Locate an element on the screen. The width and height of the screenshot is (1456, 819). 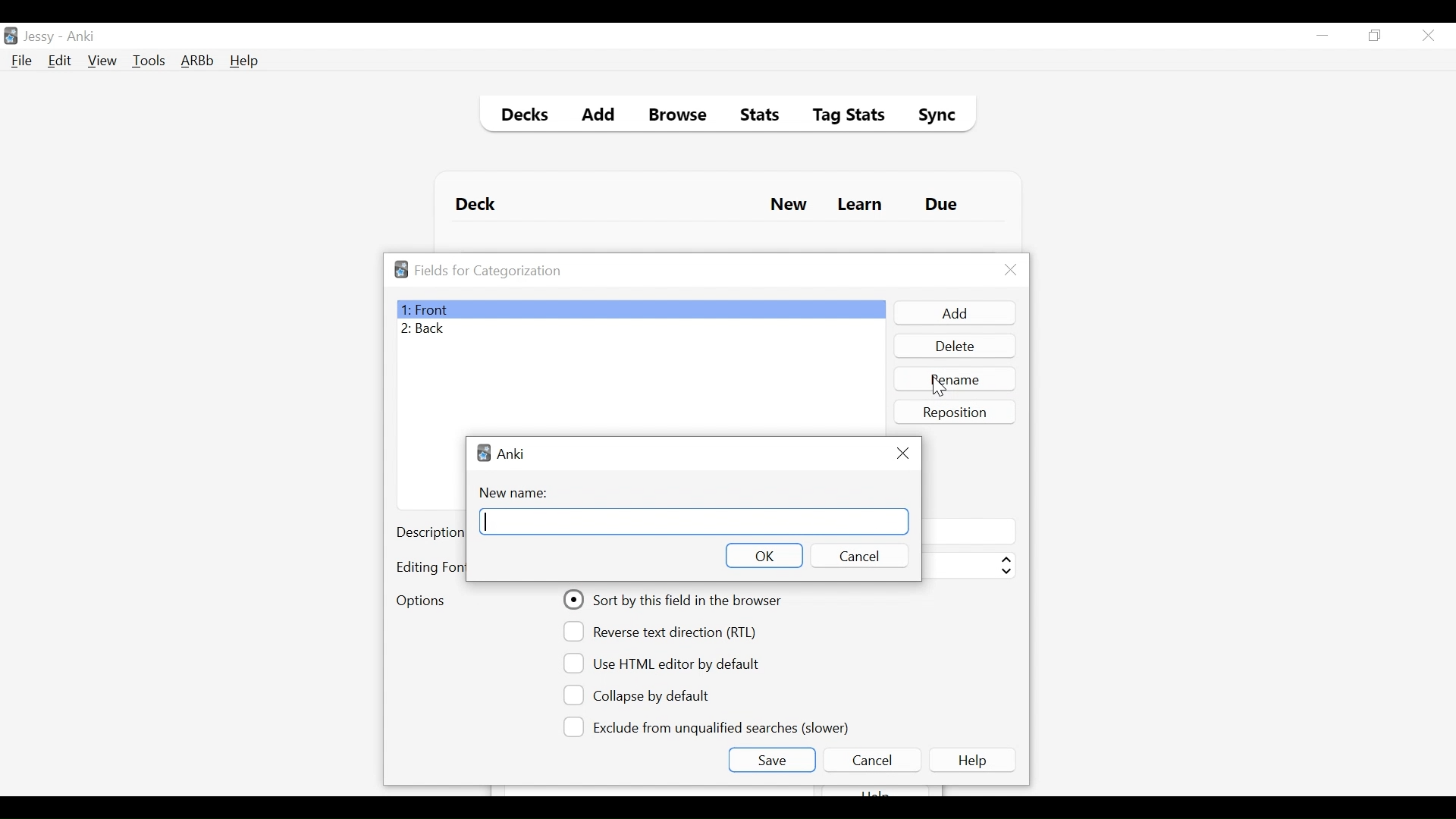
Edit is located at coordinates (58, 62).